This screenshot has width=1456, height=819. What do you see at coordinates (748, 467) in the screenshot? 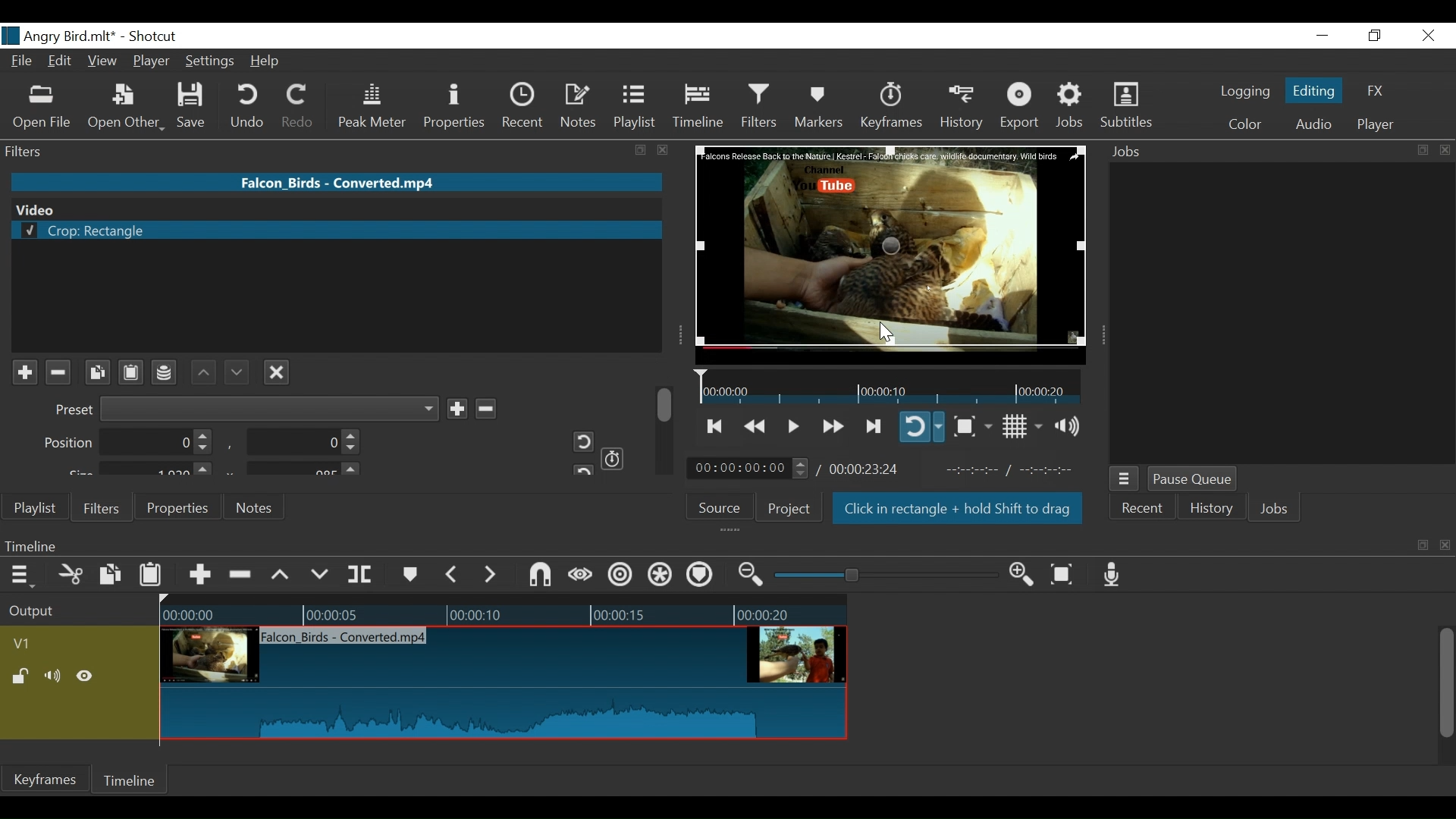
I see `Current Duration` at bounding box center [748, 467].